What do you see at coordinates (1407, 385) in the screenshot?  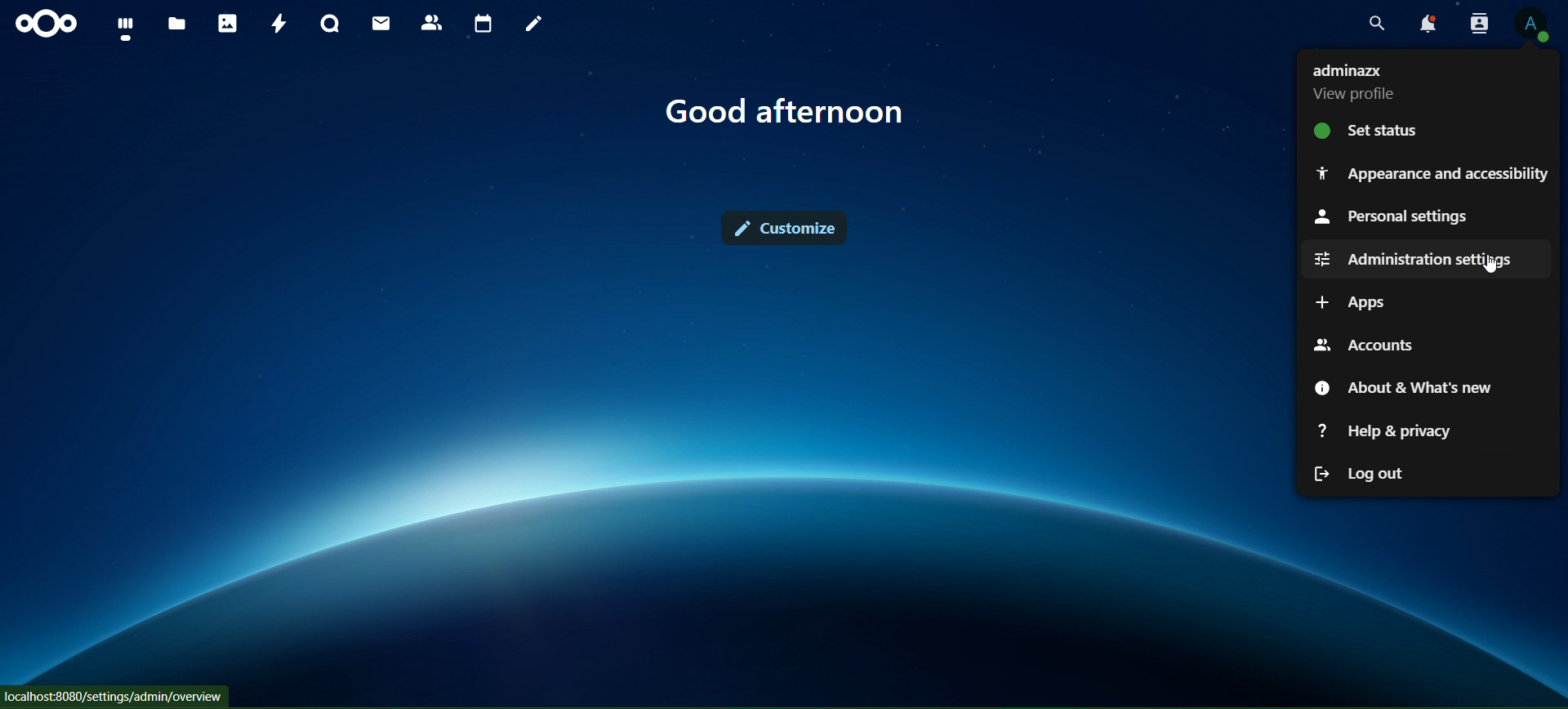 I see `about & what's new` at bounding box center [1407, 385].